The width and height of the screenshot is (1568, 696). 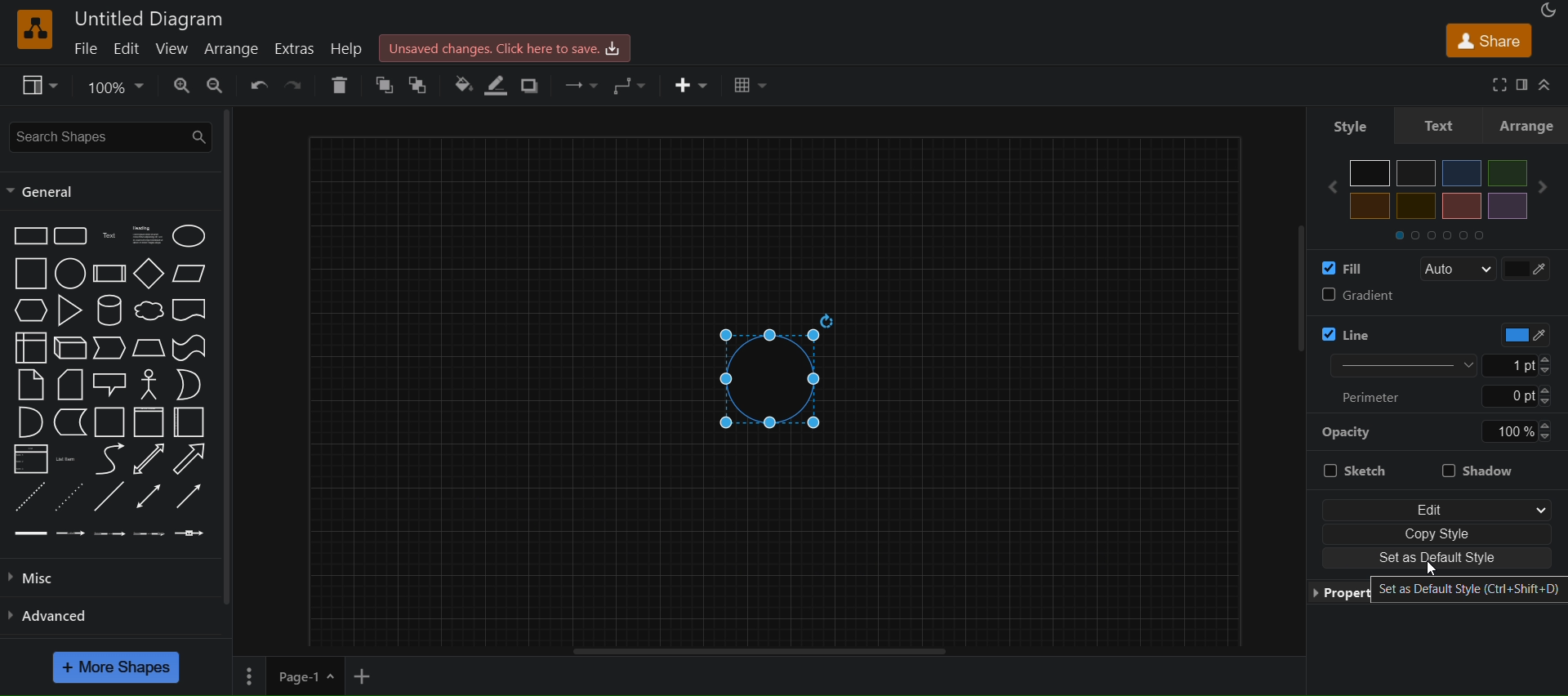 I want to click on list item, so click(x=69, y=459).